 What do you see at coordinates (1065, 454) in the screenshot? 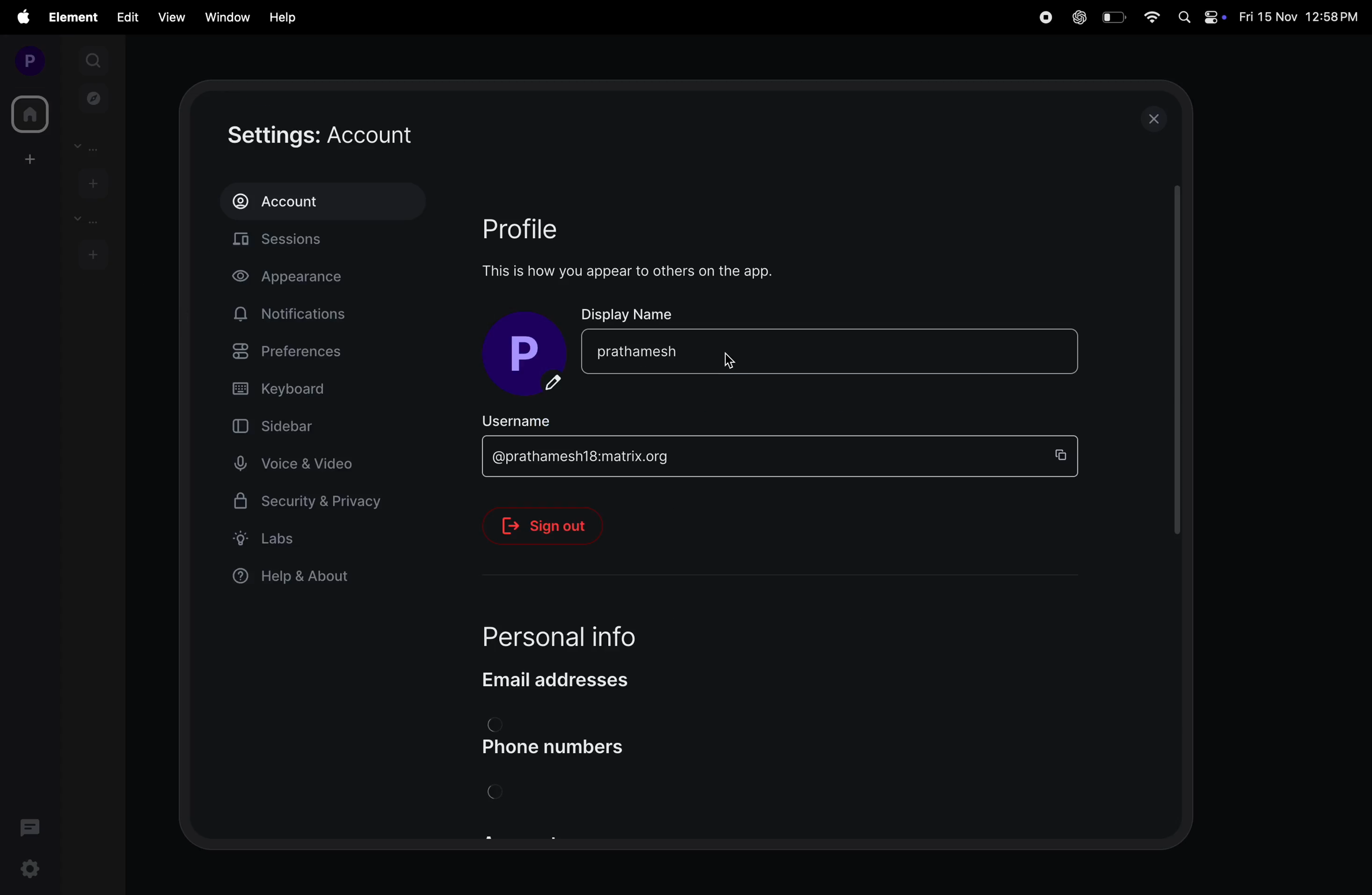
I see `copy` at bounding box center [1065, 454].